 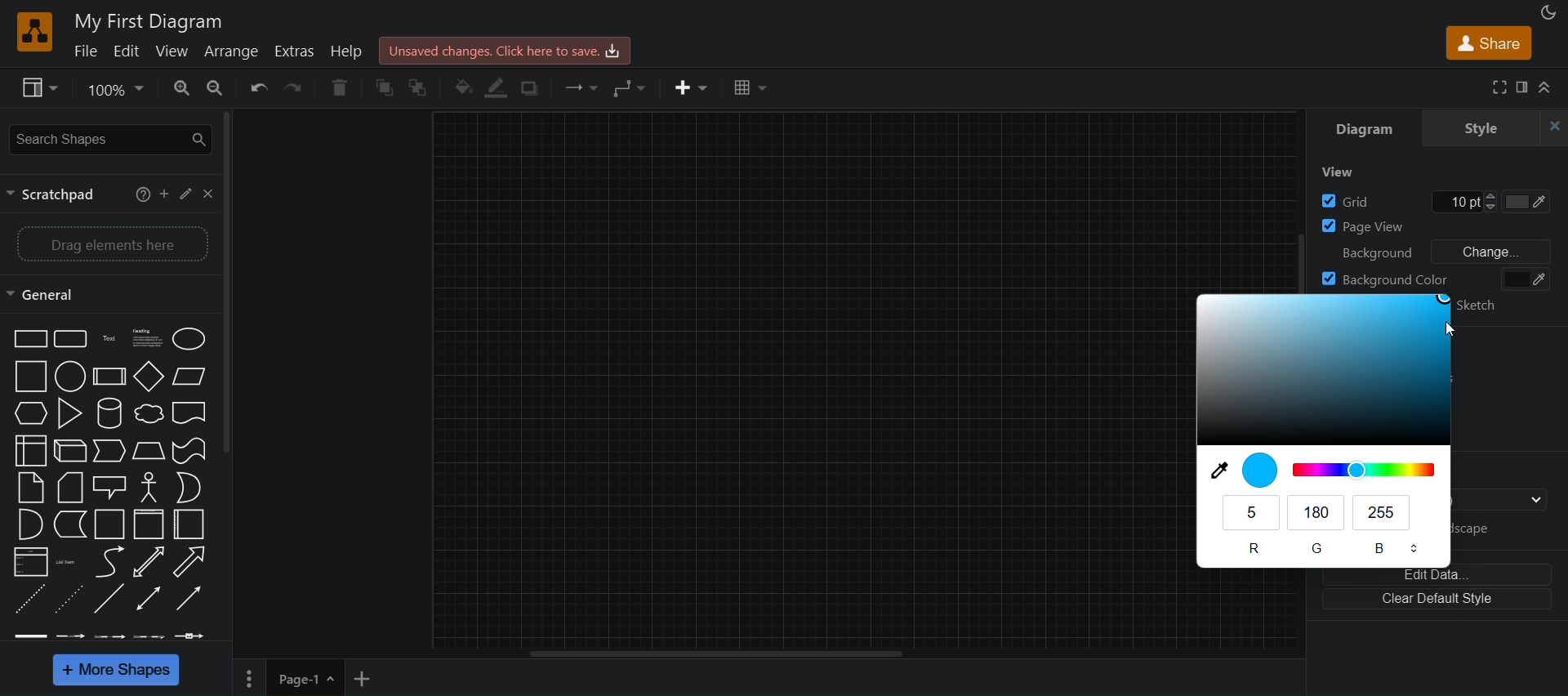 I want to click on format, so click(x=1521, y=87).